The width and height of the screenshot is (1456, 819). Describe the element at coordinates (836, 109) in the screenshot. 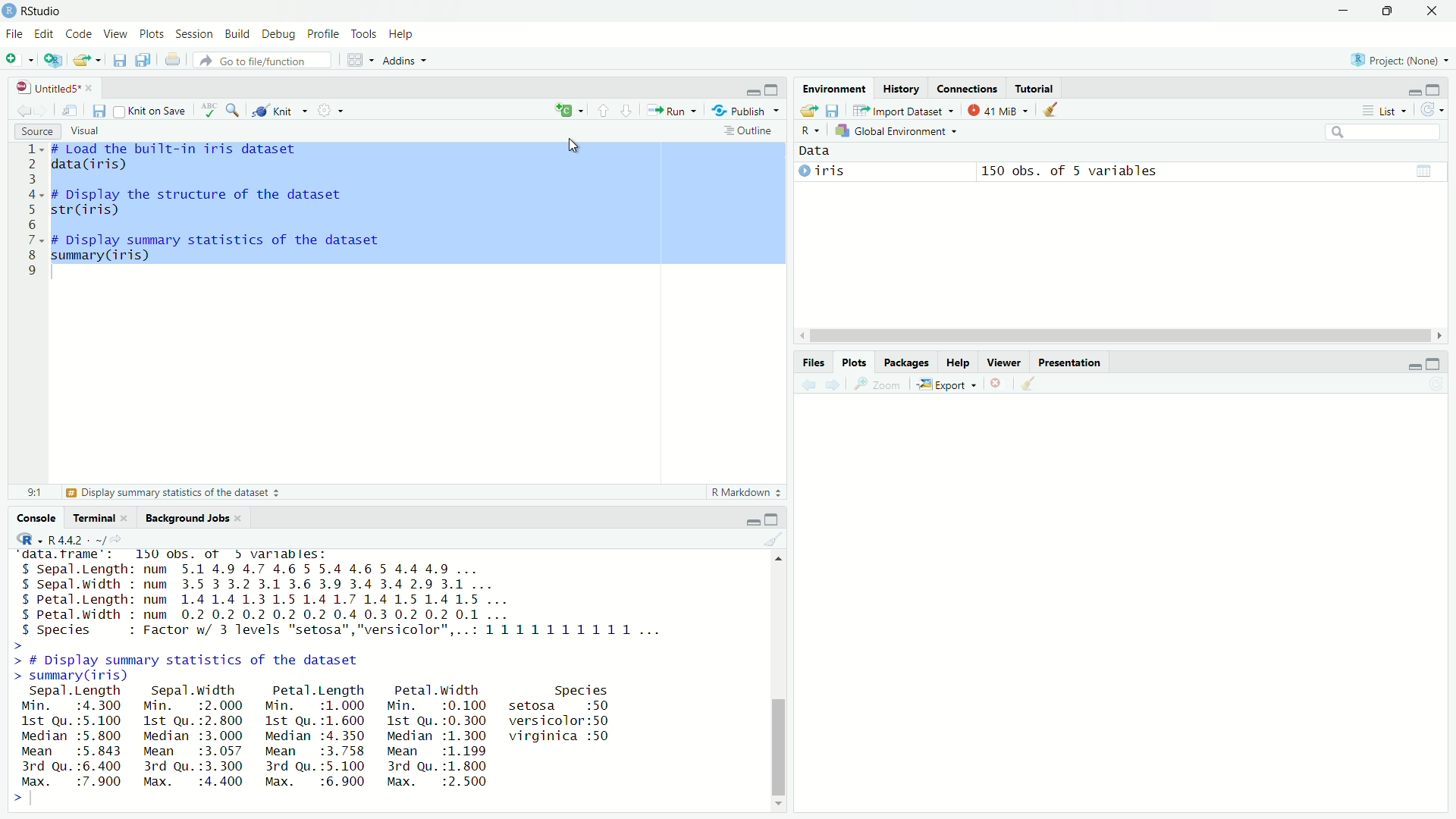

I see `Save` at that location.